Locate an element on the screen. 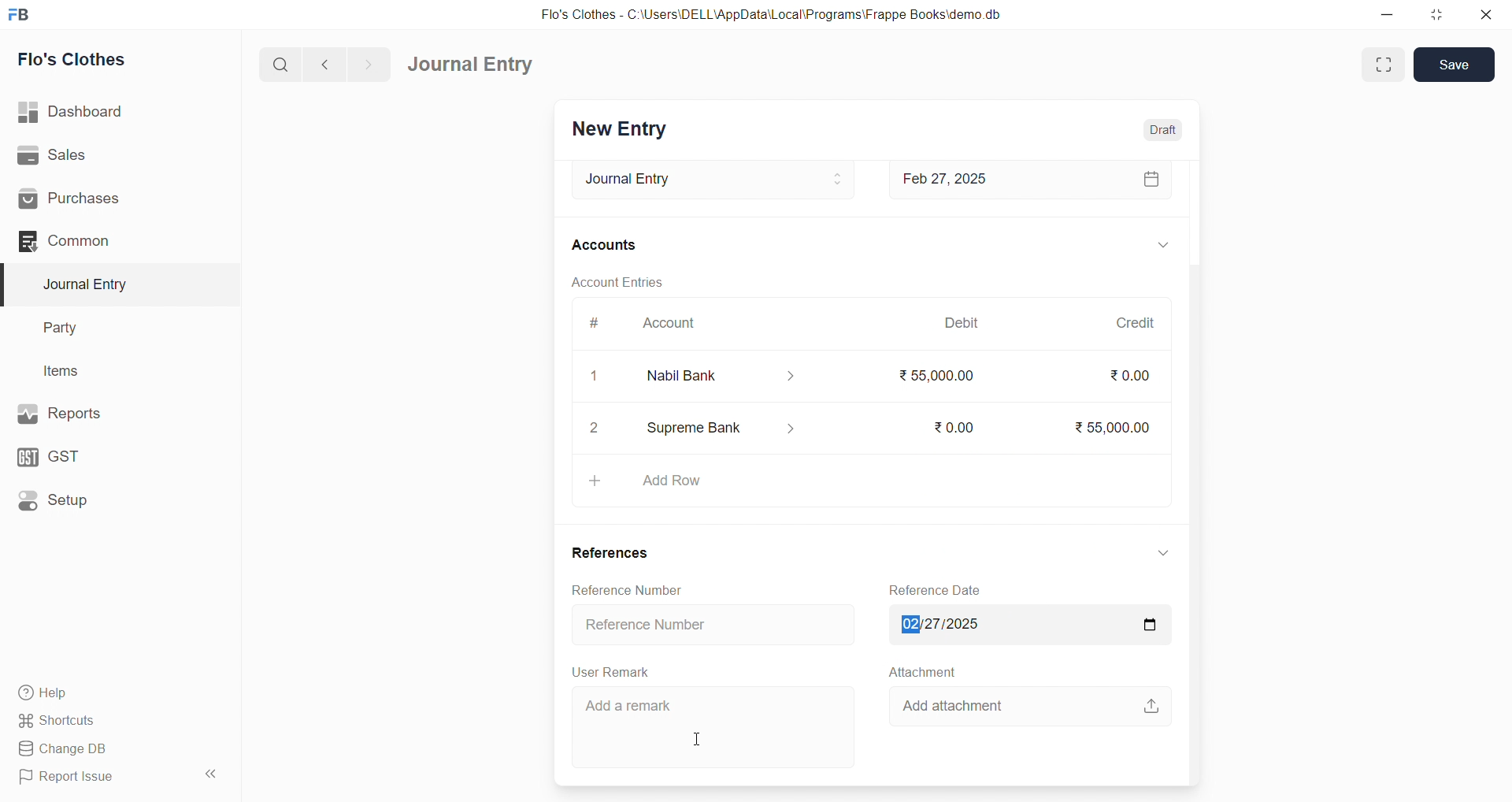  Sales is located at coordinates (94, 154).